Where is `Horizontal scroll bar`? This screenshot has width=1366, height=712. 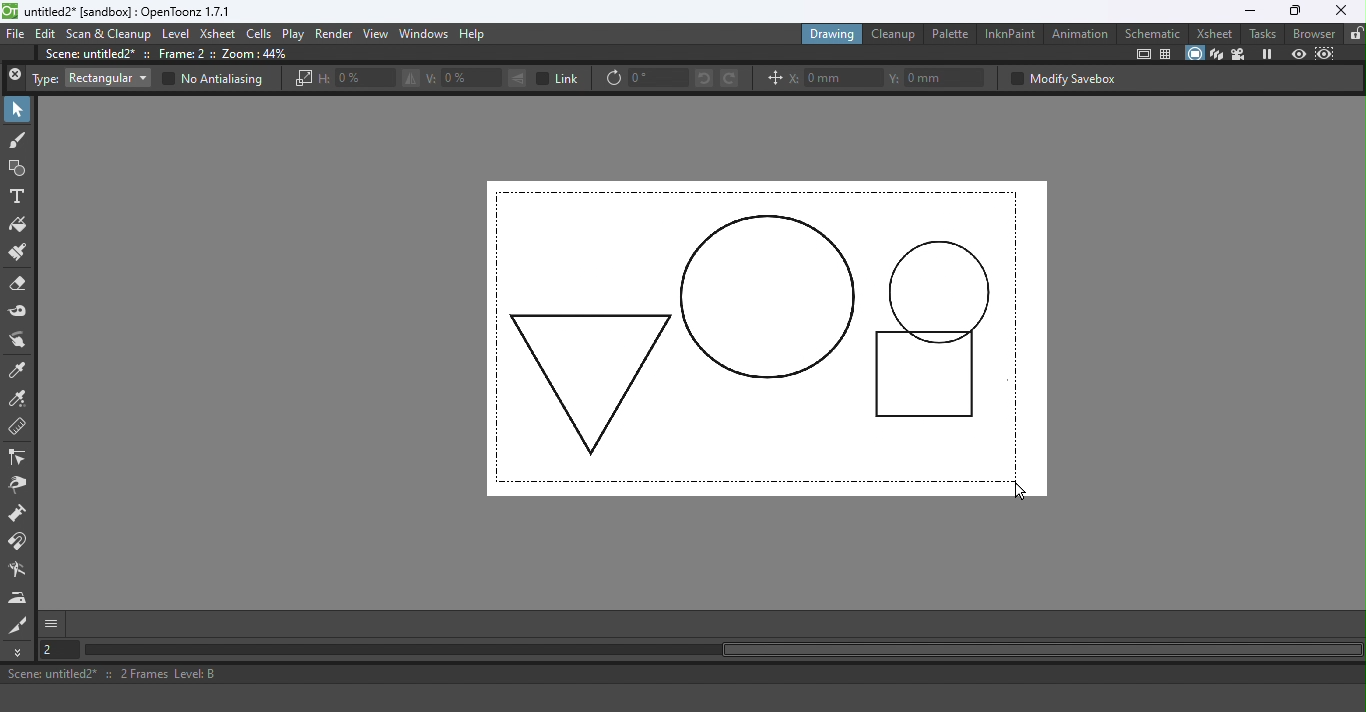
Horizontal scroll bar is located at coordinates (733, 651).